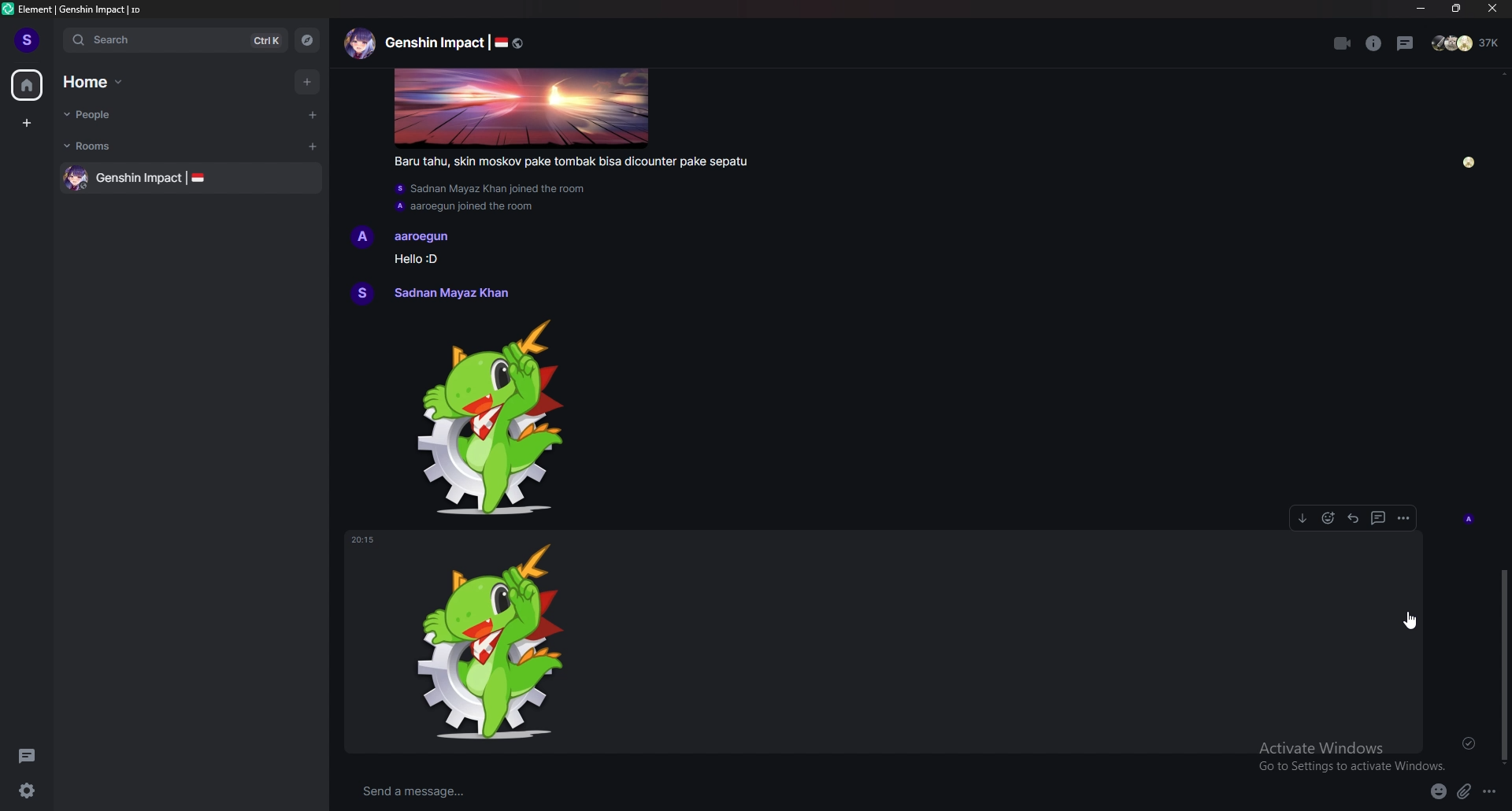 This screenshot has width=1512, height=811. Describe the element at coordinates (102, 82) in the screenshot. I see `home` at that location.